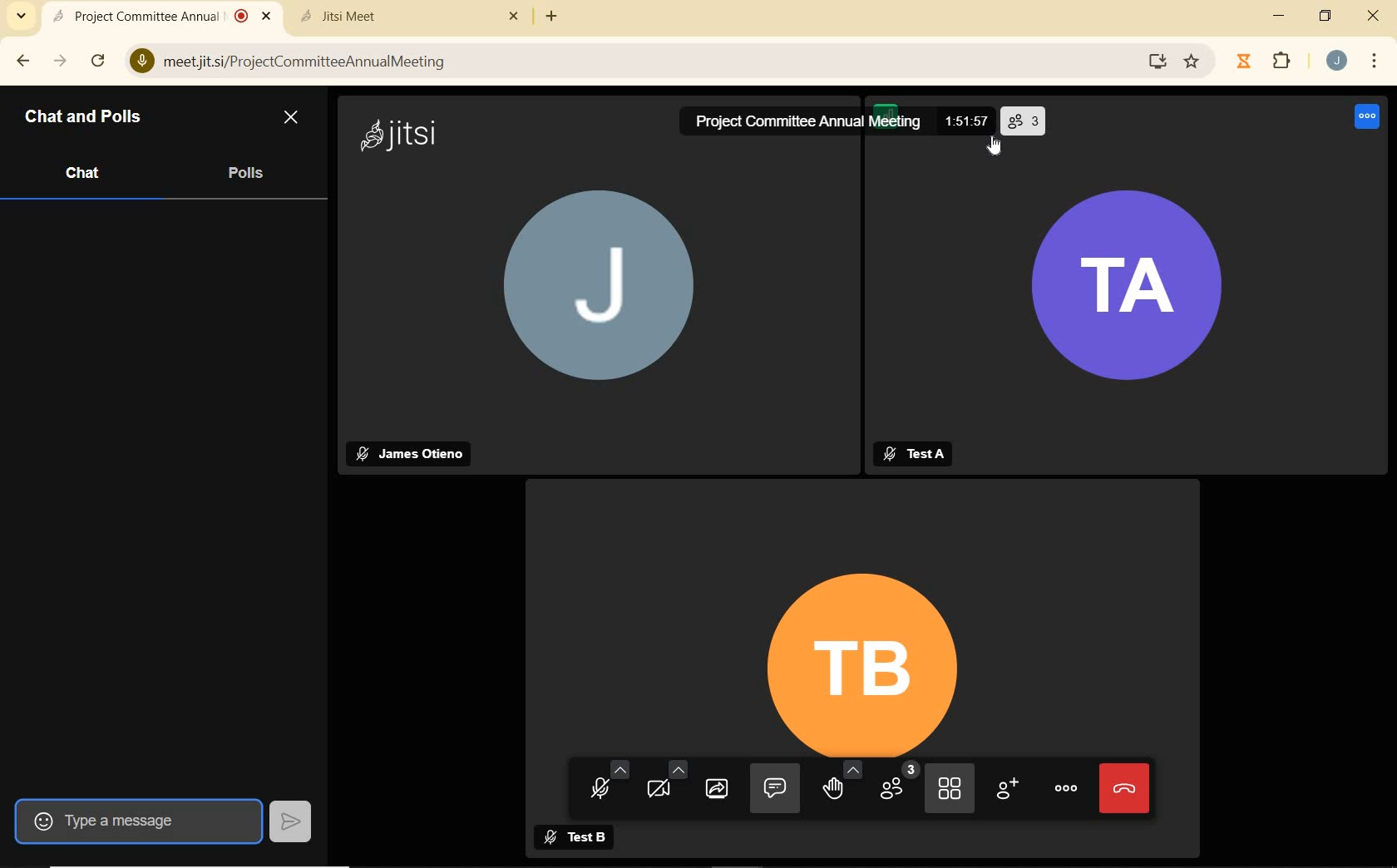  Describe the element at coordinates (1279, 16) in the screenshot. I see `minimize` at that location.